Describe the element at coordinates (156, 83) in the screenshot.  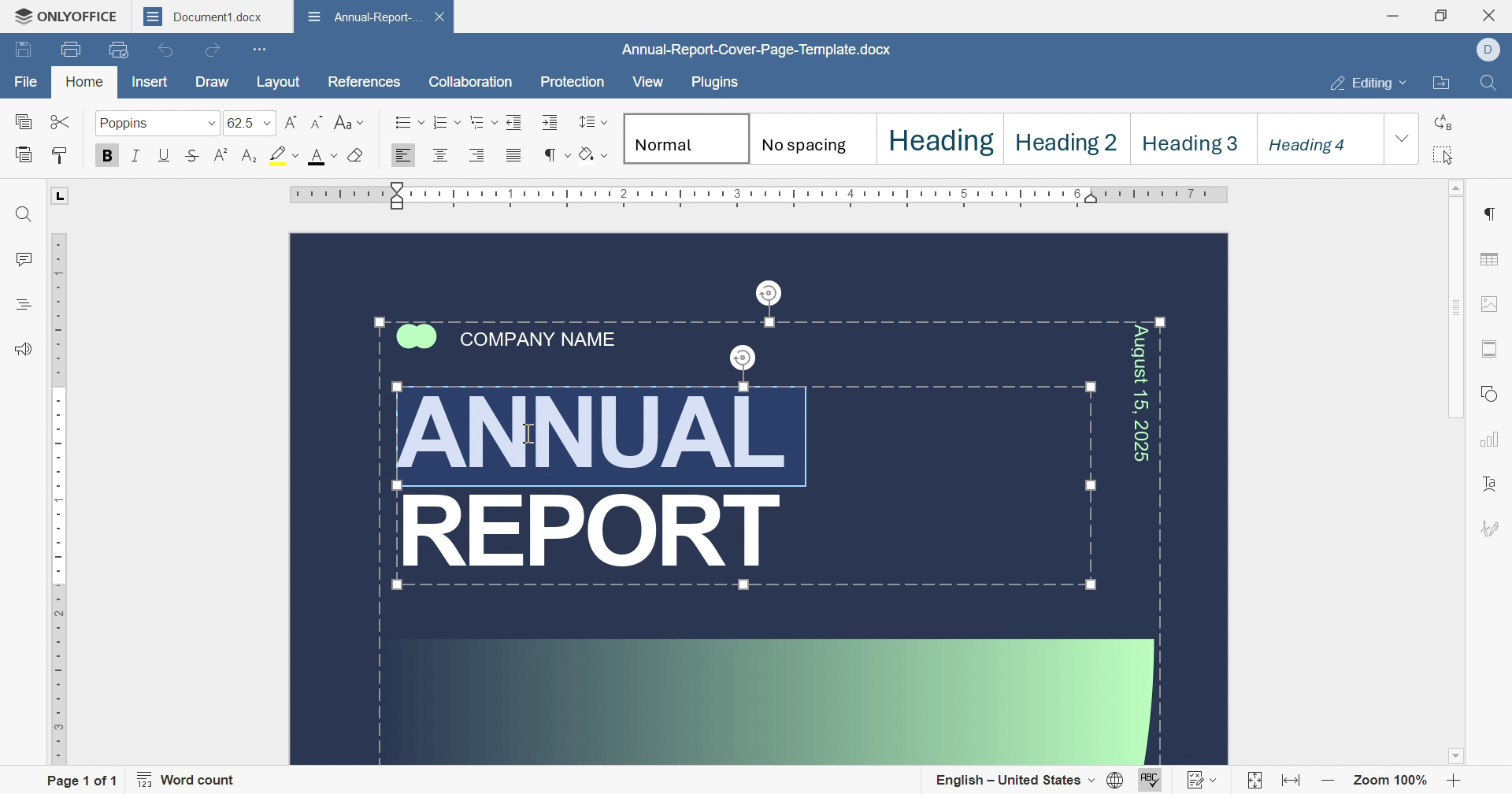
I see `insert` at that location.